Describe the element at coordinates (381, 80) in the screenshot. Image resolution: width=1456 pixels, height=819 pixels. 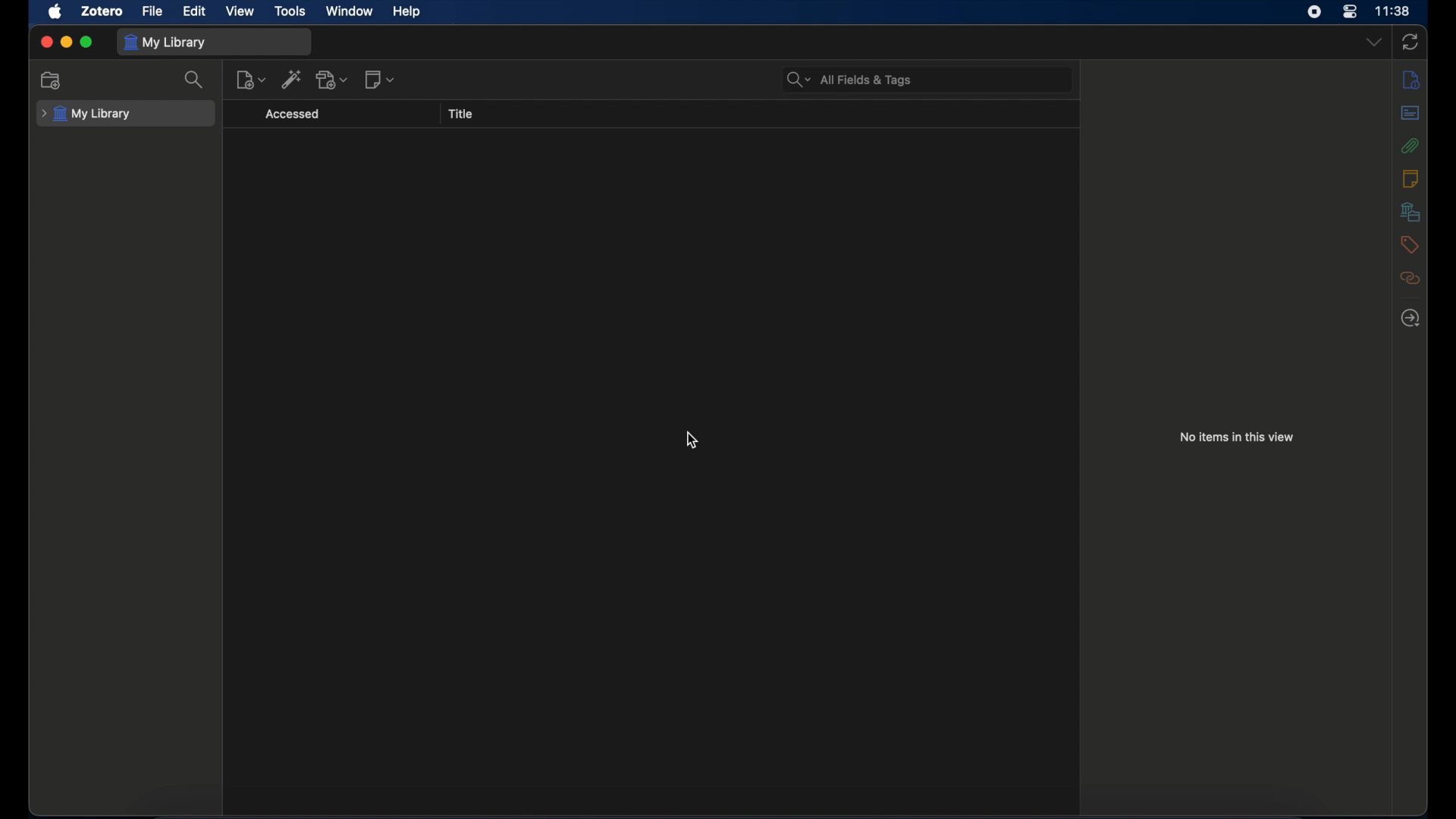
I see `new notes` at that location.